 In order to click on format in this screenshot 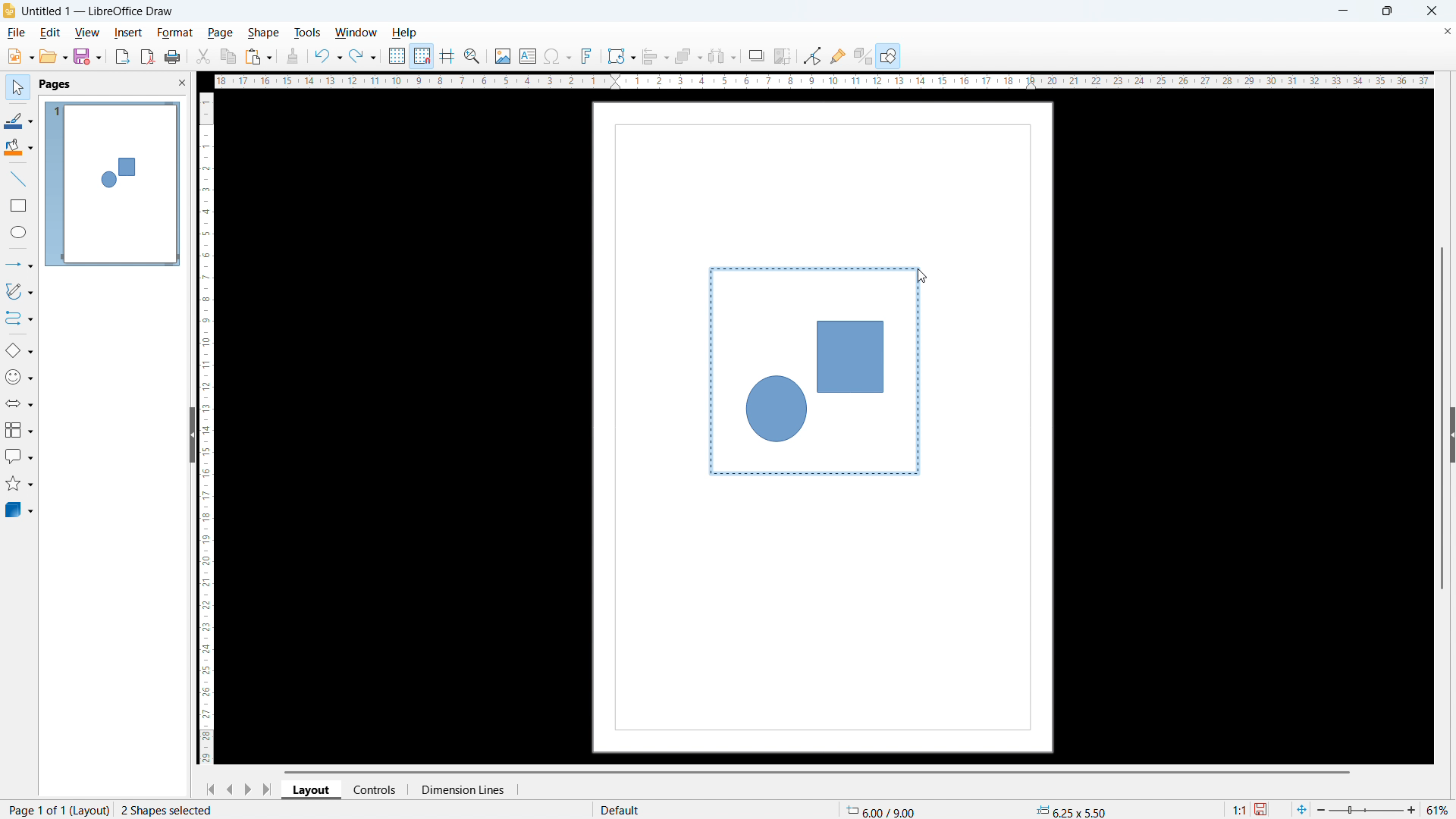, I will do `click(175, 33)`.